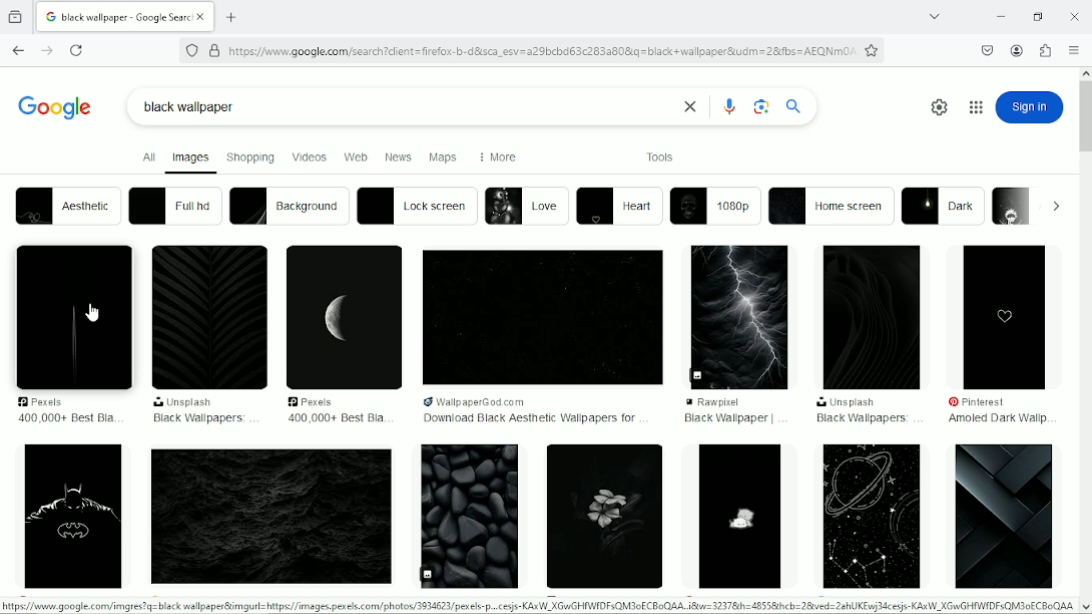  I want to click on black wallpapers, so click(862, 419).